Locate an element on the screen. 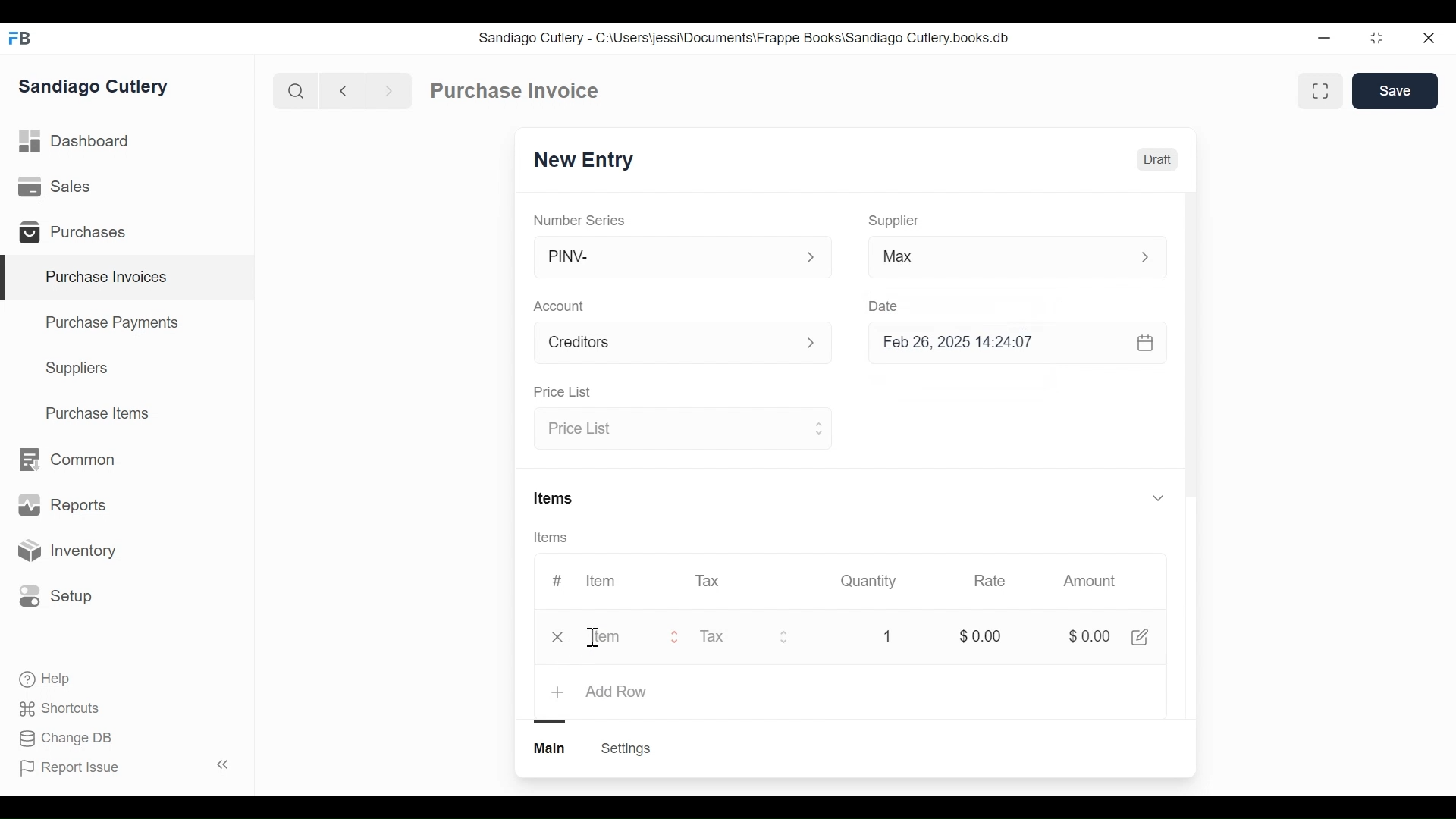  Expand is located at coordinates (1153, 257).